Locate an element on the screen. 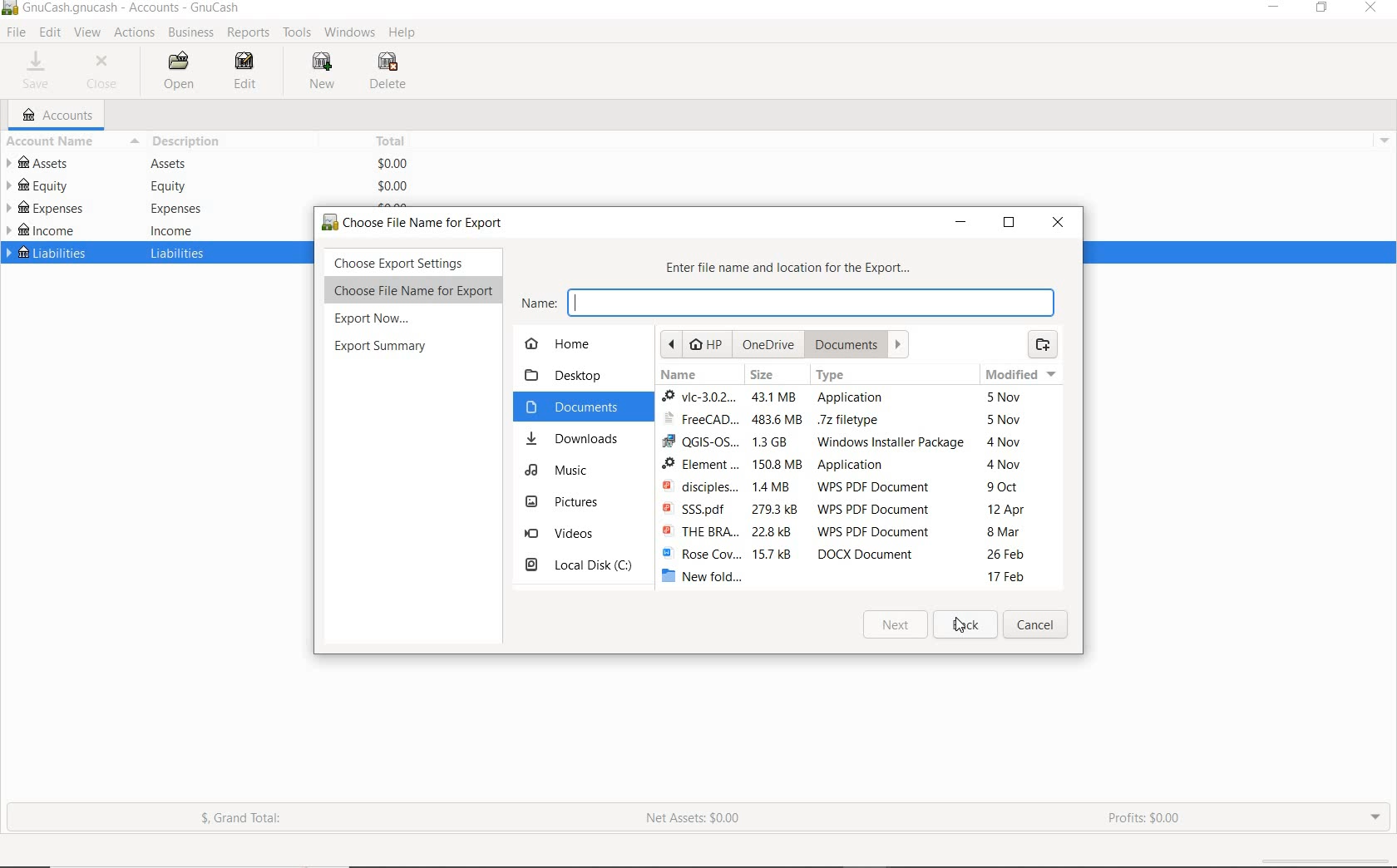 The height and width of the screenshot is (868, 1397). CLOSE is located at coordinates (1371, 8).